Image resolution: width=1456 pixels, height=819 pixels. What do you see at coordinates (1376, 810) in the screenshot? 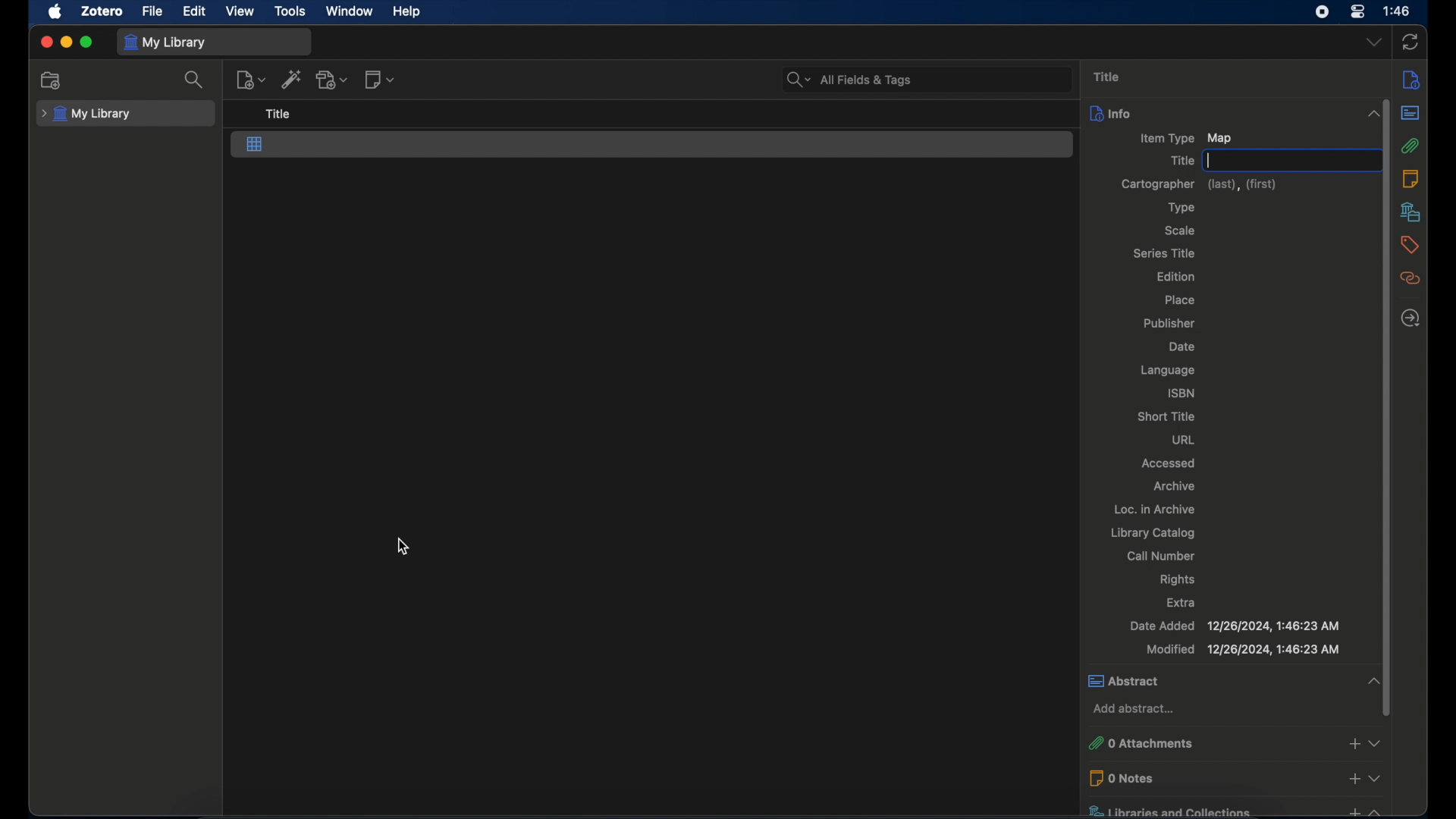
I see `Collapse or expand ` at bounding box center [1376, 810].